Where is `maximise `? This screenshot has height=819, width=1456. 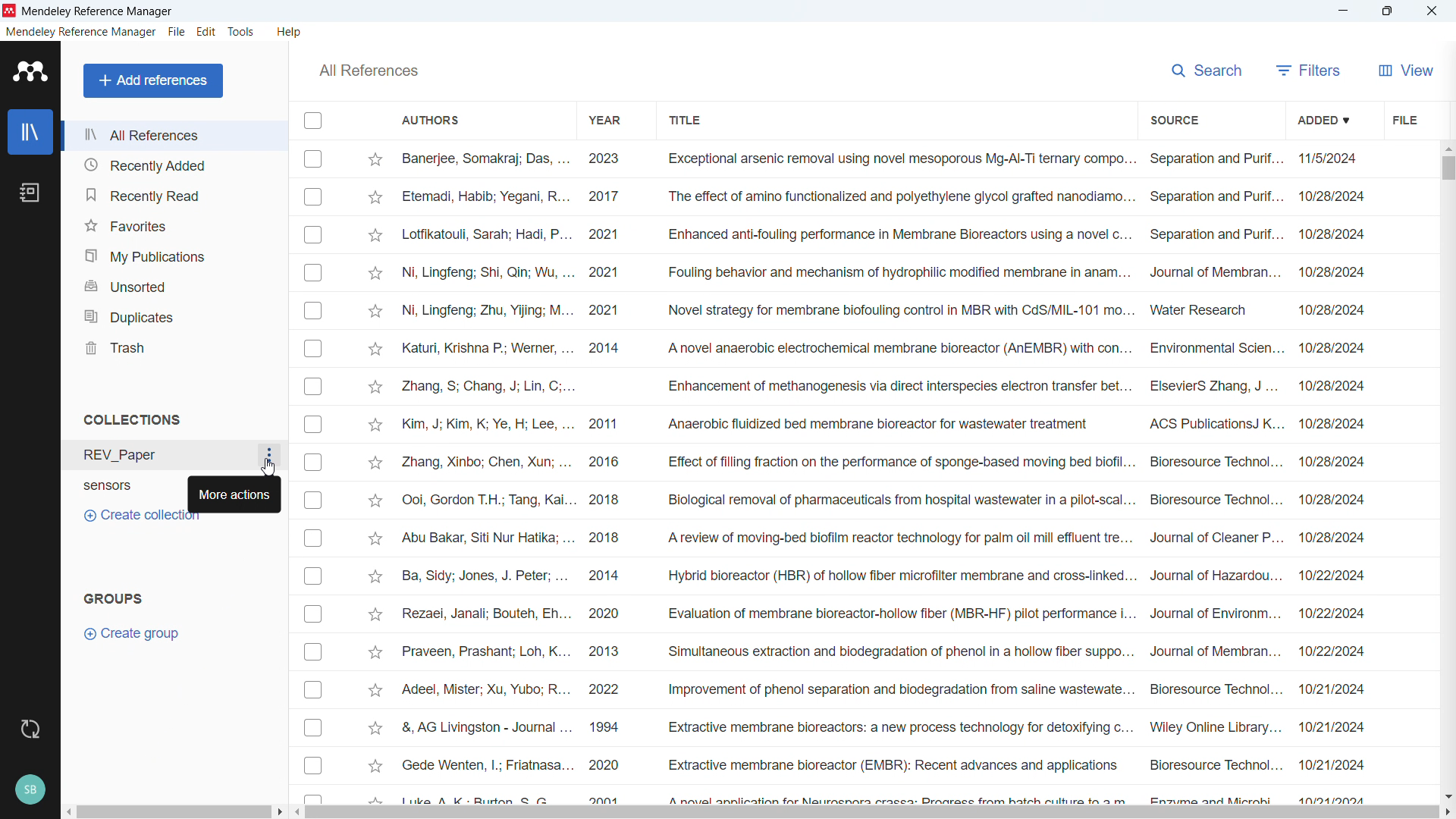
maximise  is located at coordinates (1390, 11).